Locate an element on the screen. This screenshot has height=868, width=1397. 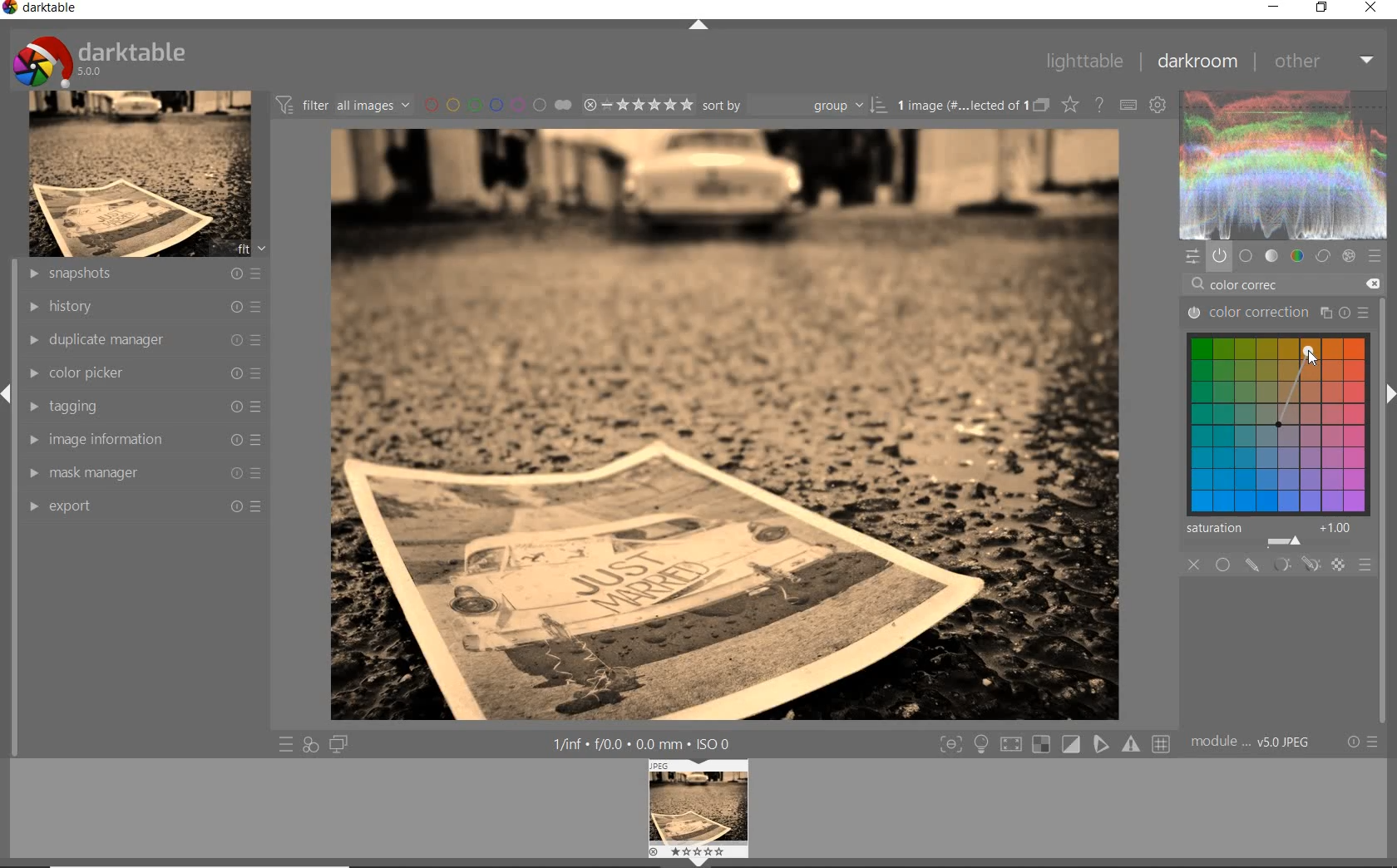
quick access panel is located at coordinates (1192, 257).